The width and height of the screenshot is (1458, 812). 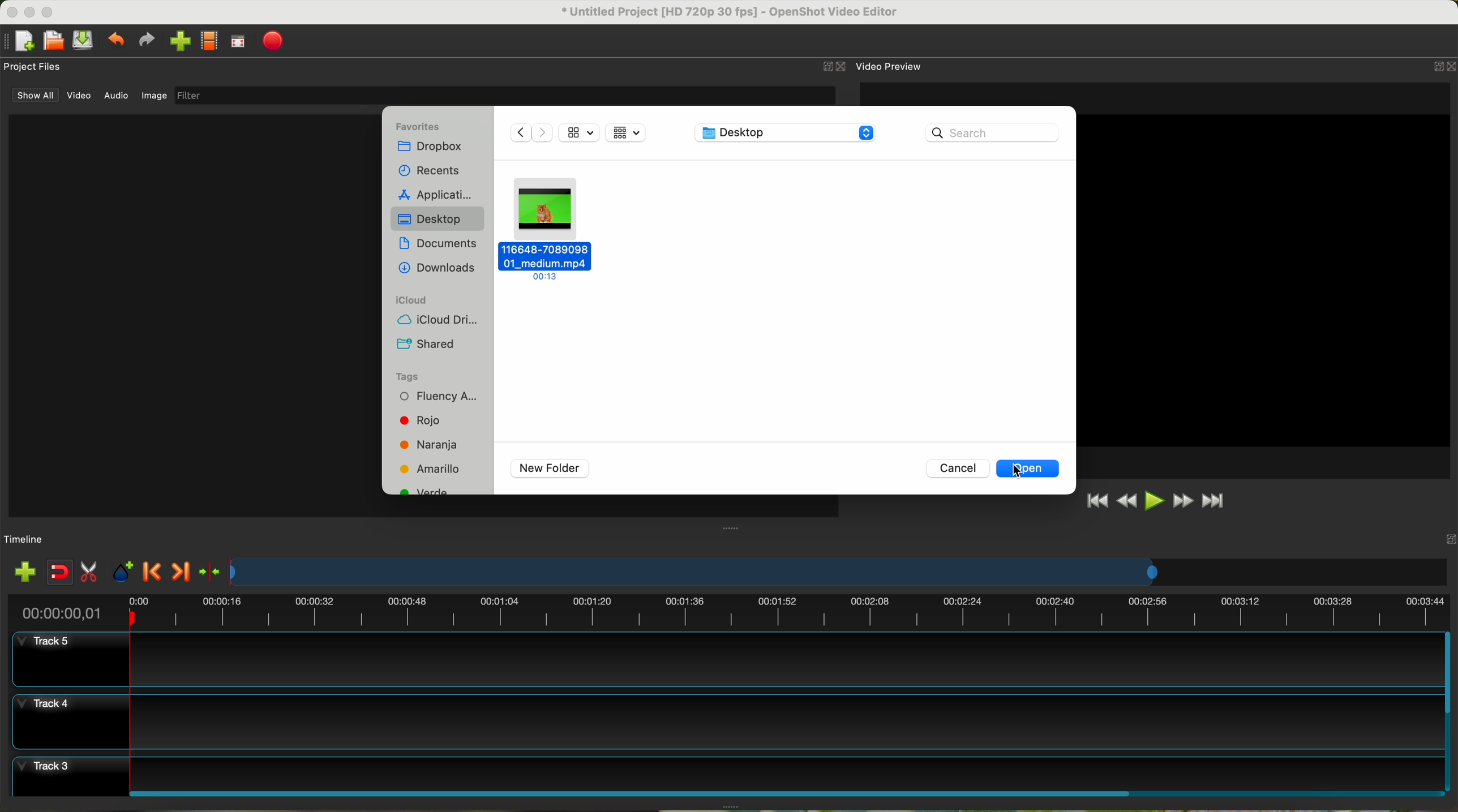 I want to click on image, so click(x=154, y=97).